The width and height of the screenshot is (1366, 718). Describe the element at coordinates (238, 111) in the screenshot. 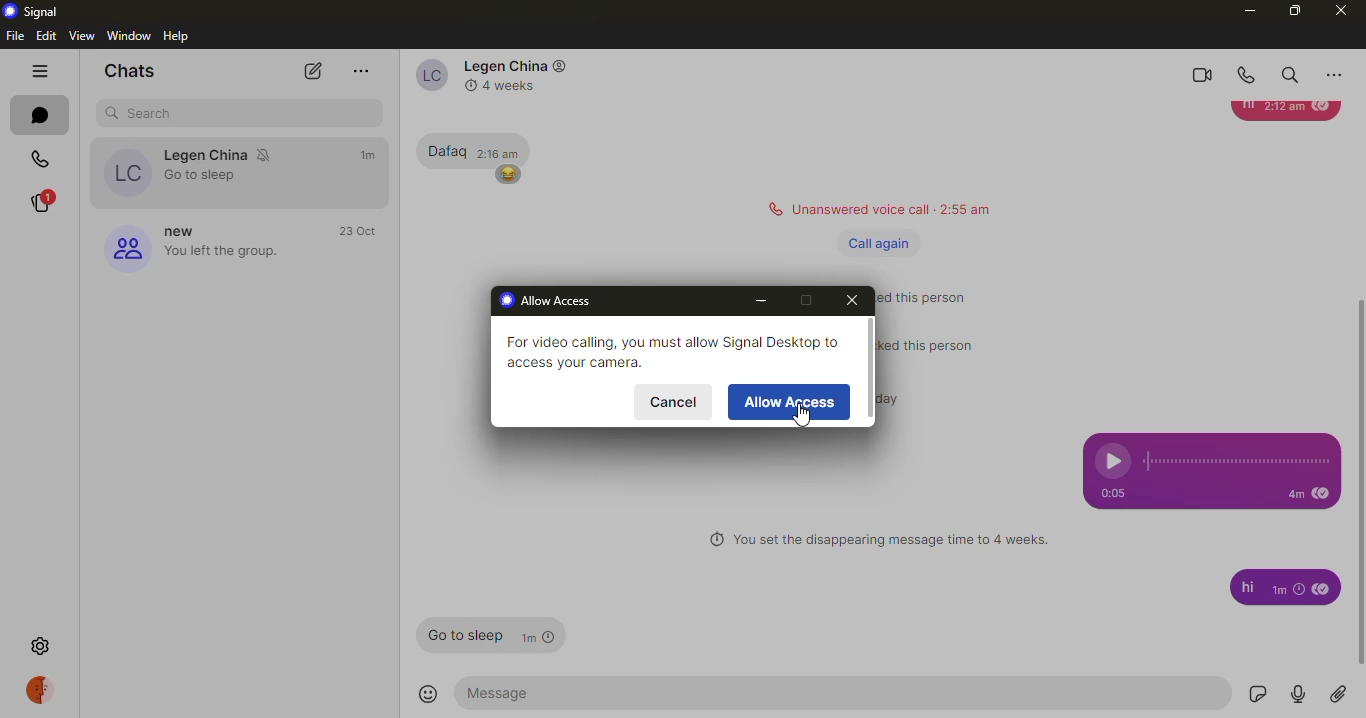

I see `search` at that location.